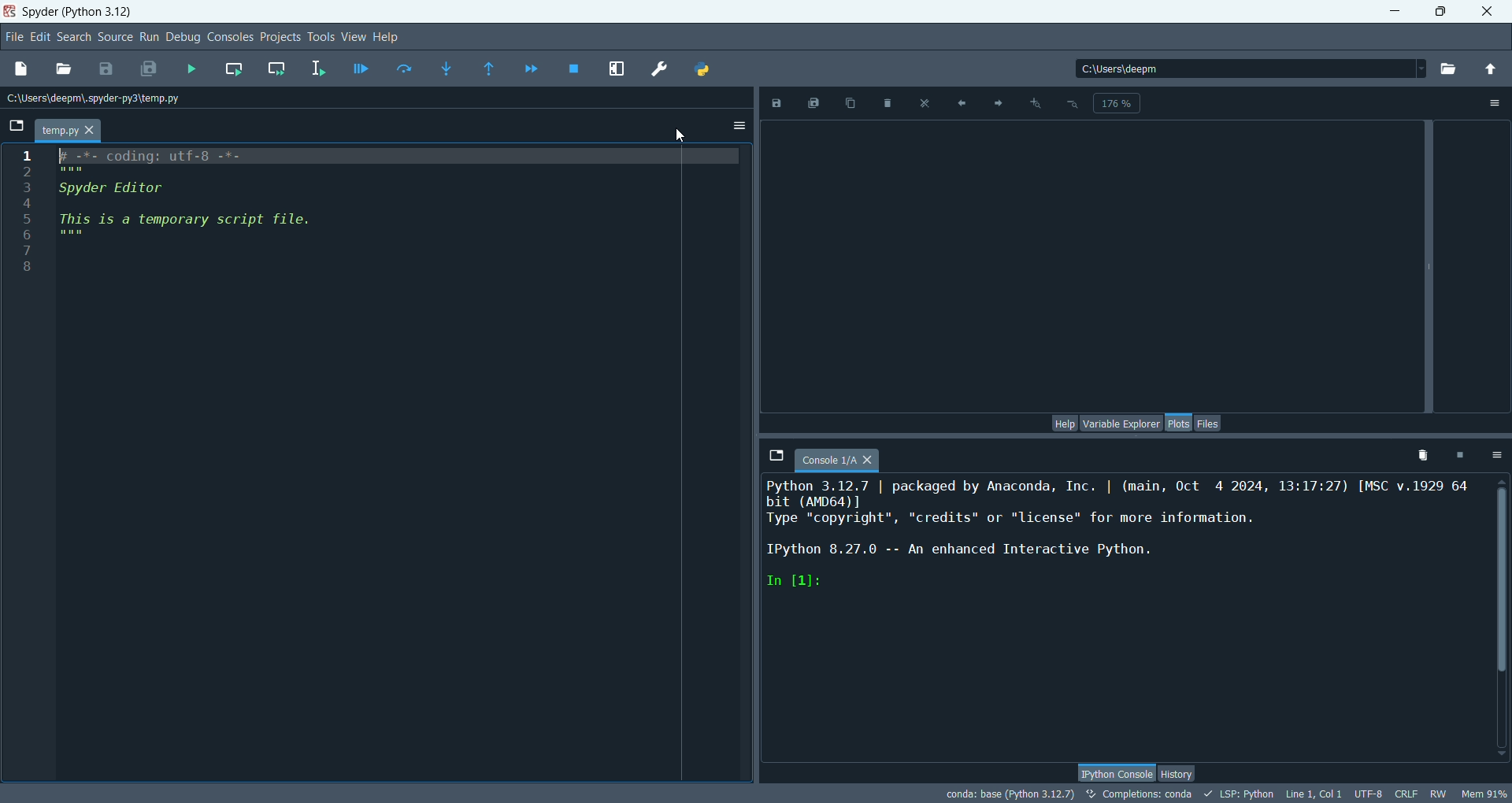  Describe the element at coordinates (1065, 423) in the screenshot. I see `help` at that location.